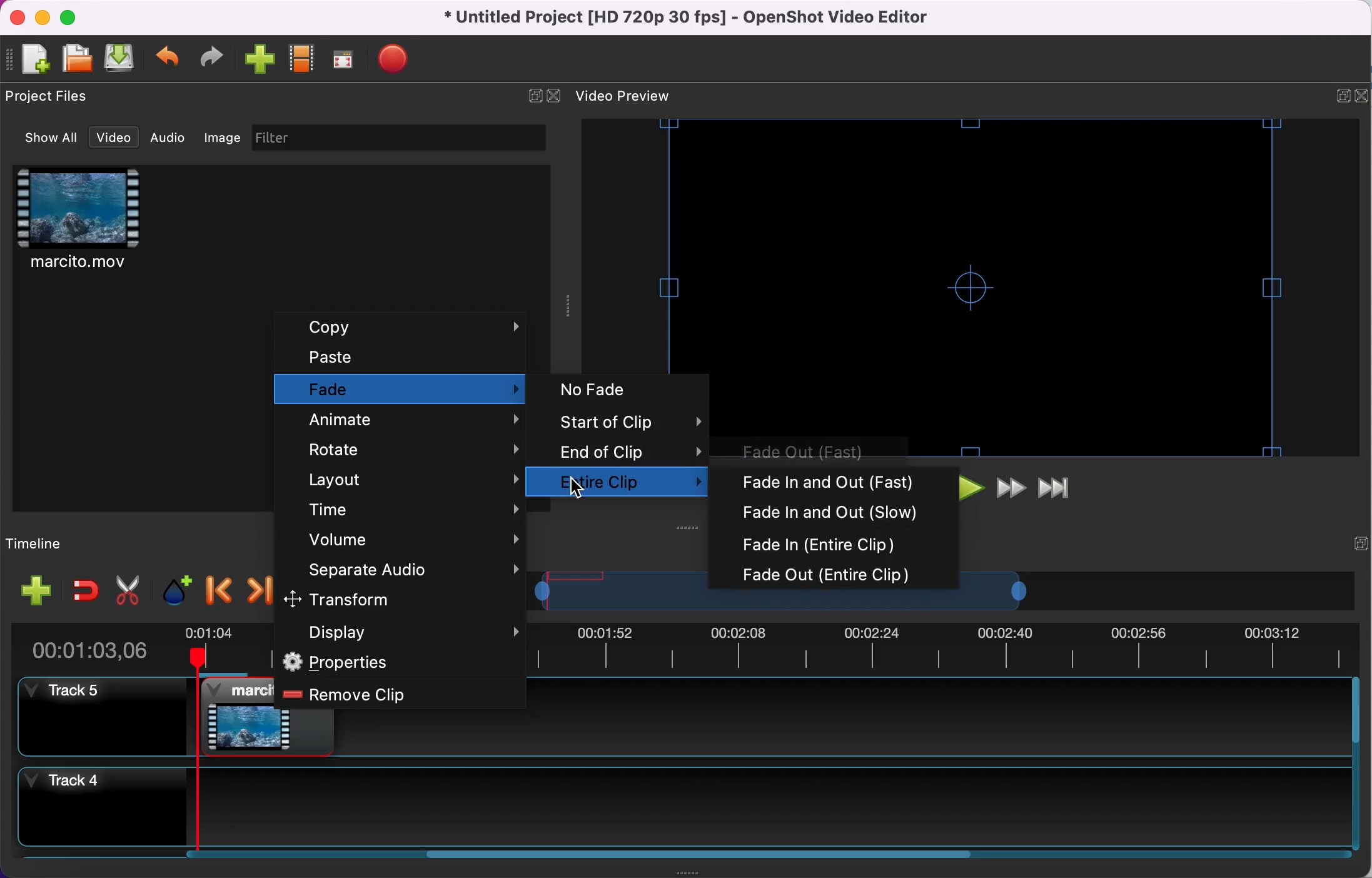 The width and height of the screenshot is (1372, 878). I want to click on maximize, so click(78, 19).